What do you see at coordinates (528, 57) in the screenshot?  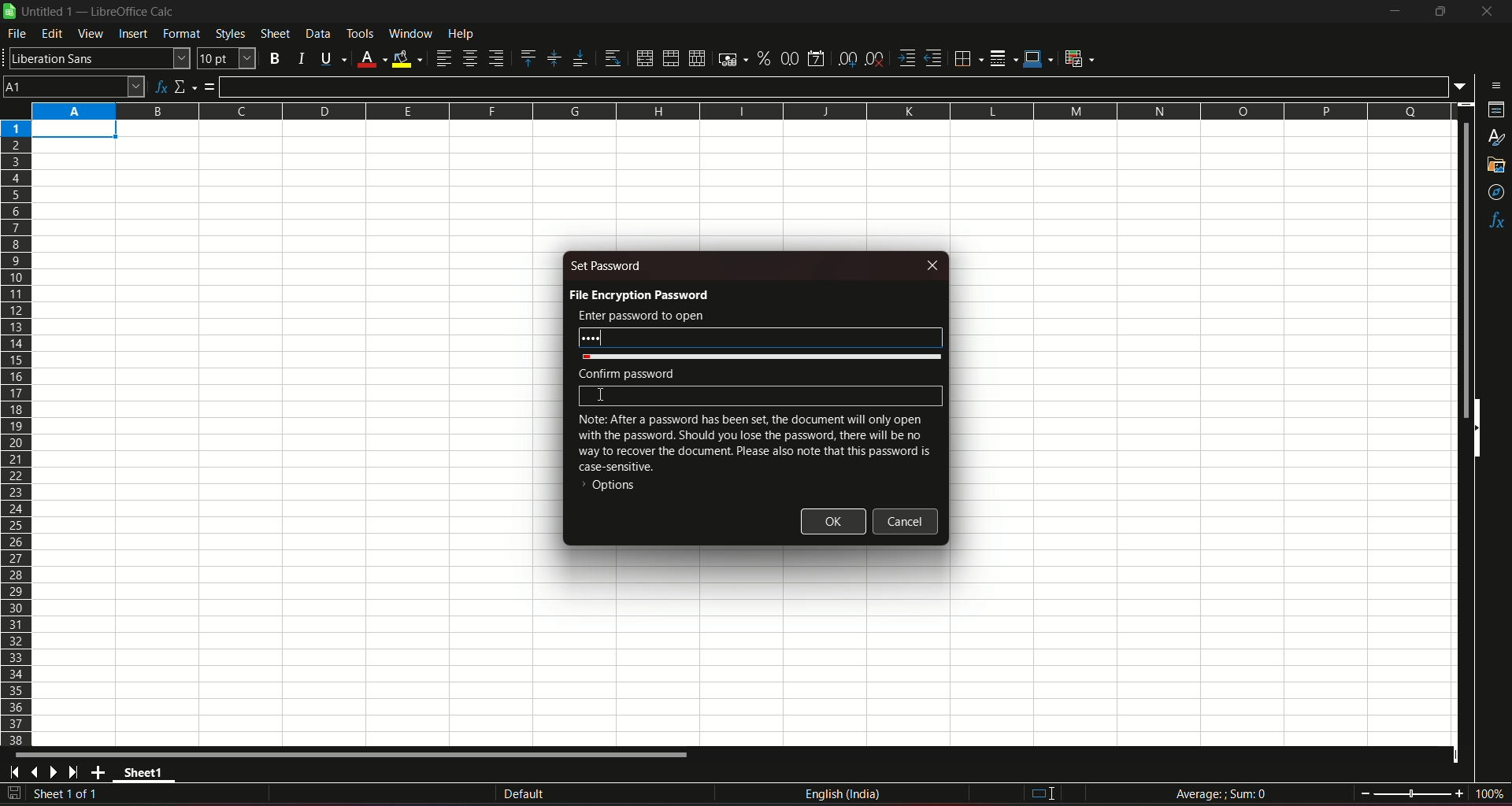 I see `align top` at bounding box center [528, 57].